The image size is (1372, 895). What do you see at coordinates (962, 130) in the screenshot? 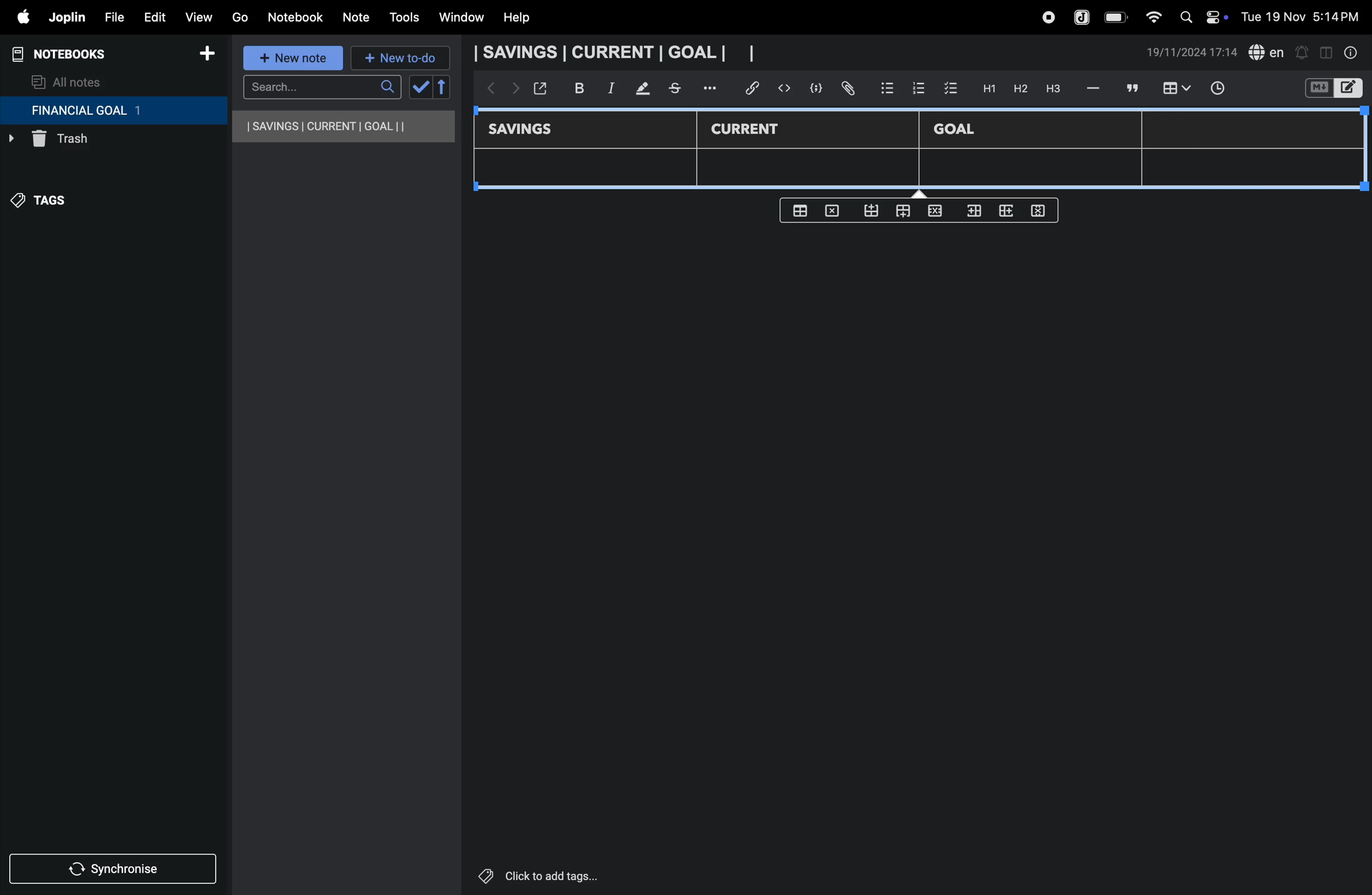
I see `Goal` at bounding box center [962, 130].